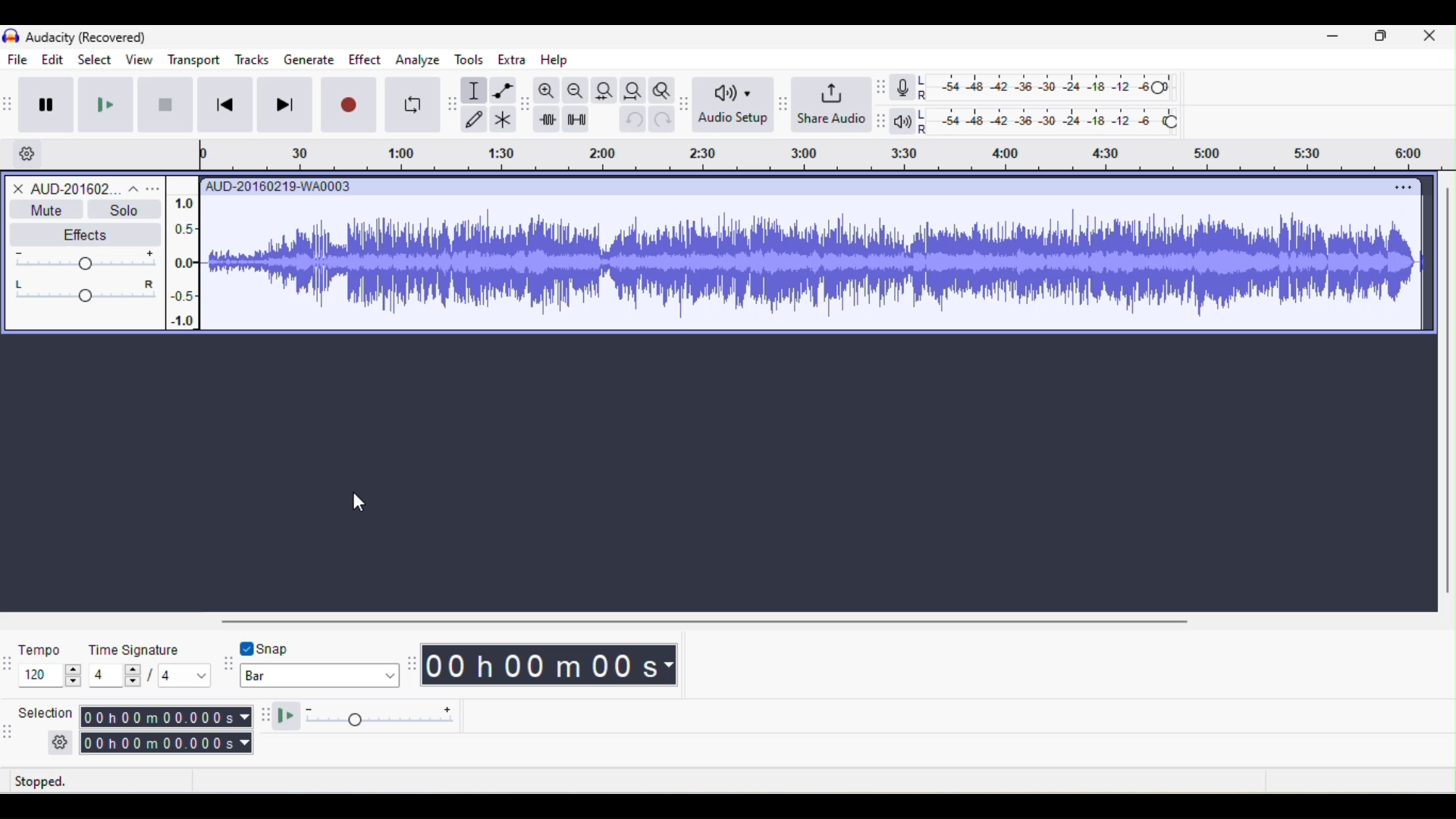 The height and width of the screenshot is (819, 1456). What do you see at coordinates (503, 119) in the screenshot?
I see `multi tool` at bounding box center [503, 119].